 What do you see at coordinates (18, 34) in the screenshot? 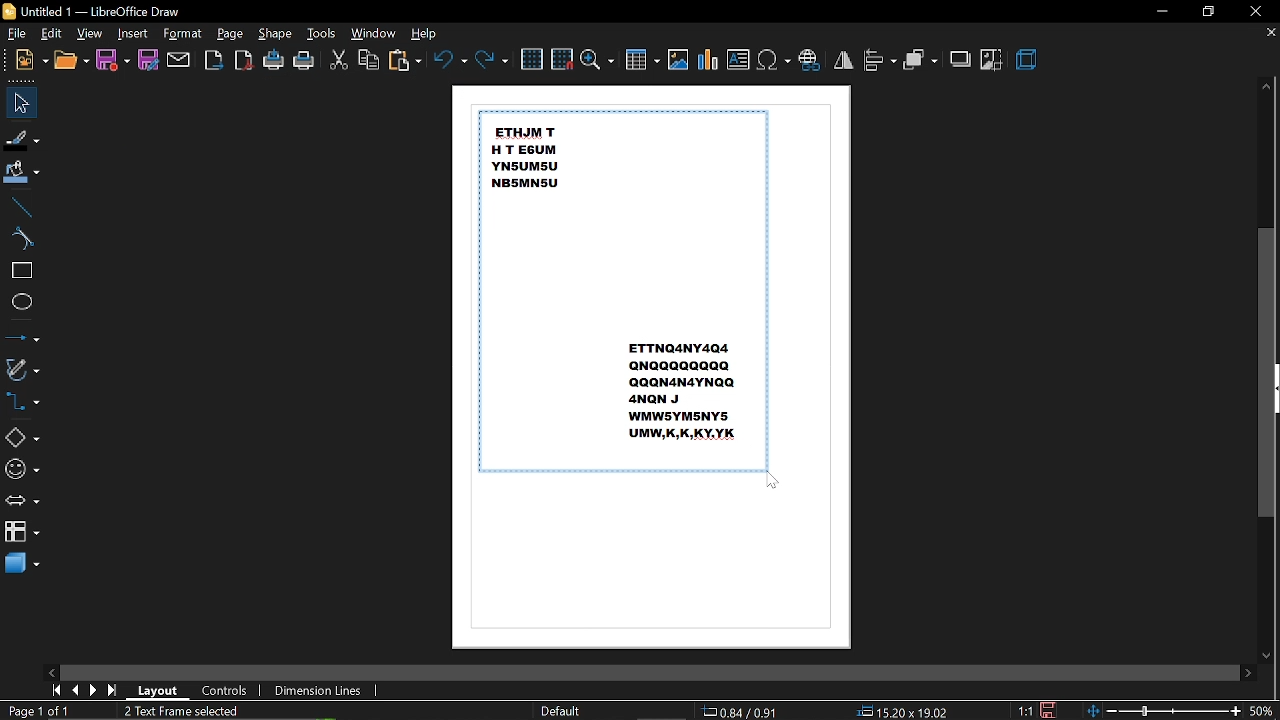
I see `file` at bounding box center [18, 34].